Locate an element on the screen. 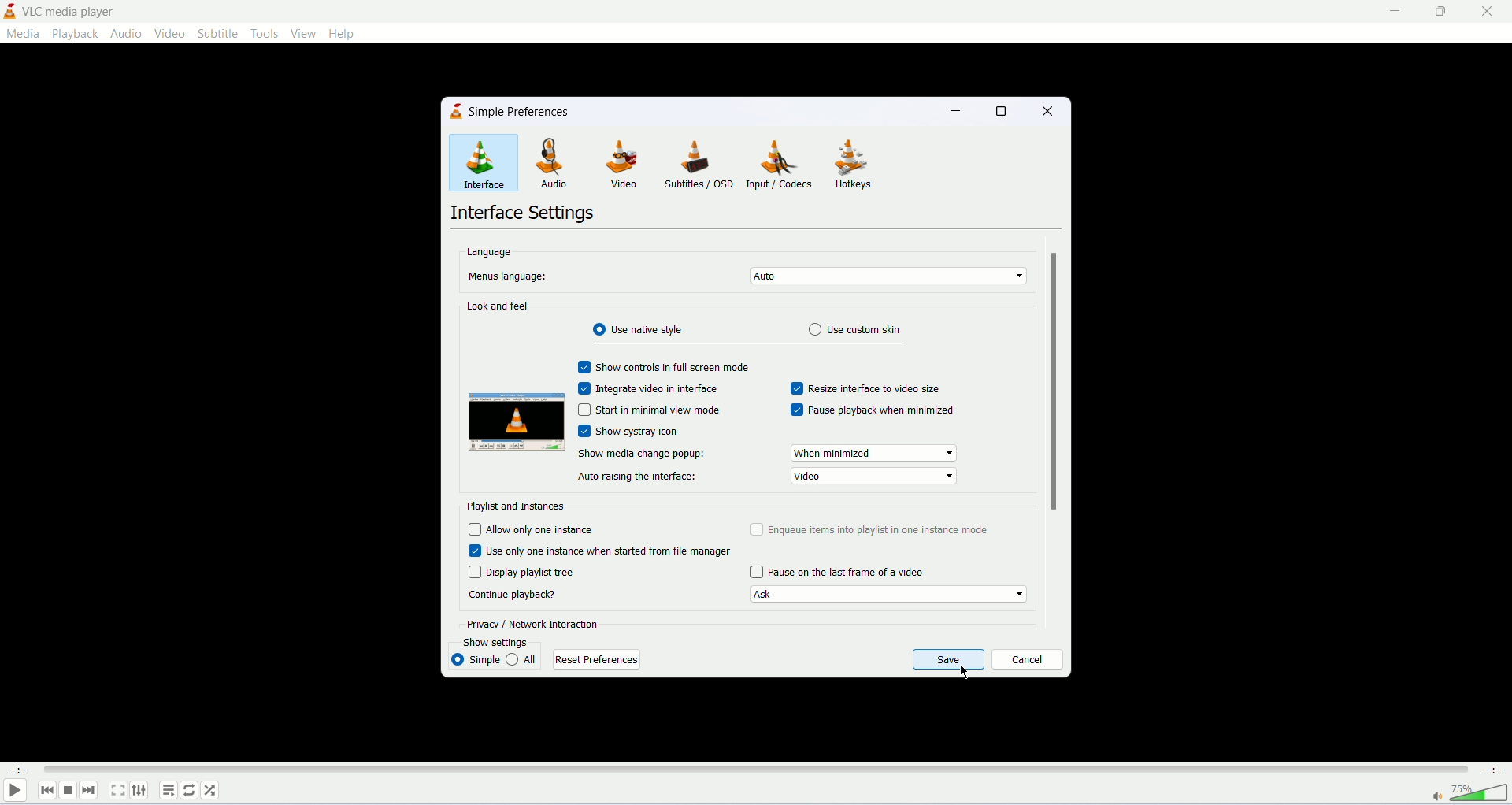 The height and width of the screenshot is (805, 1512). audio is located at coordinates (543, 162).